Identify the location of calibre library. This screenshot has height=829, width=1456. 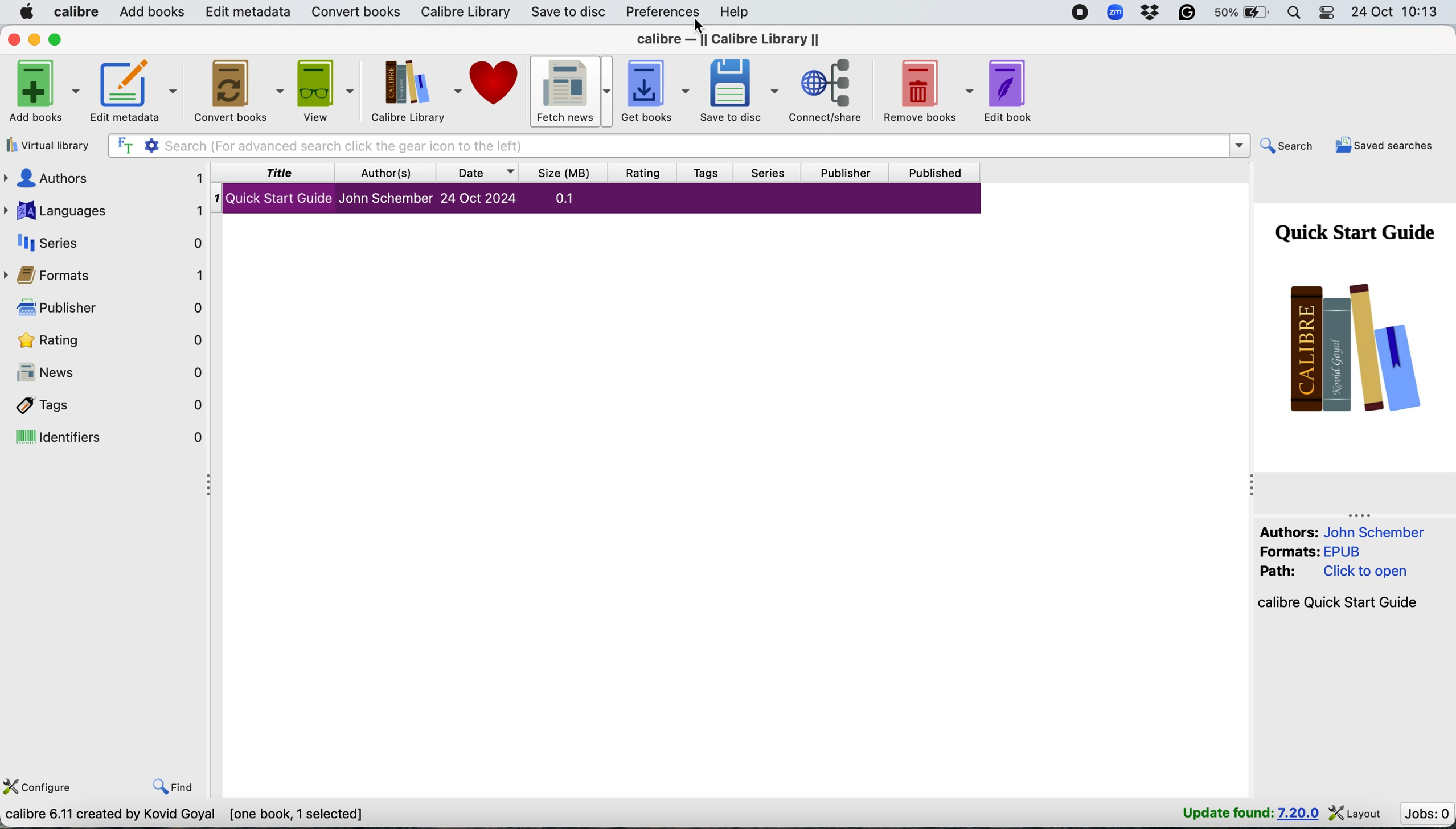
(411, 93).